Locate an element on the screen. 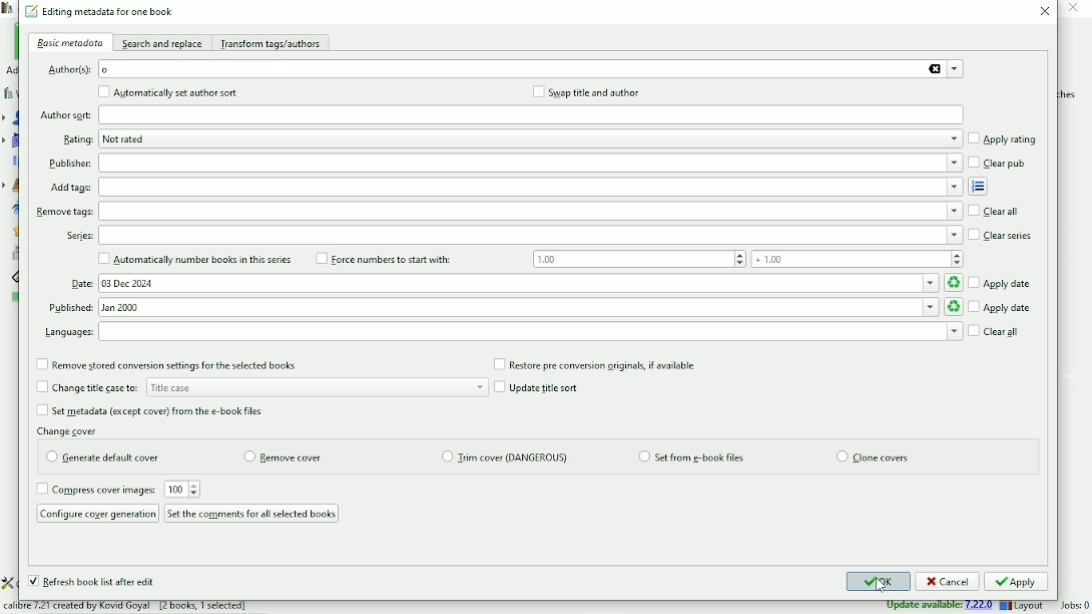 Image resolution: width=1092 pixels, height=614 pixels. Update available is located at coordinates (939, 607).